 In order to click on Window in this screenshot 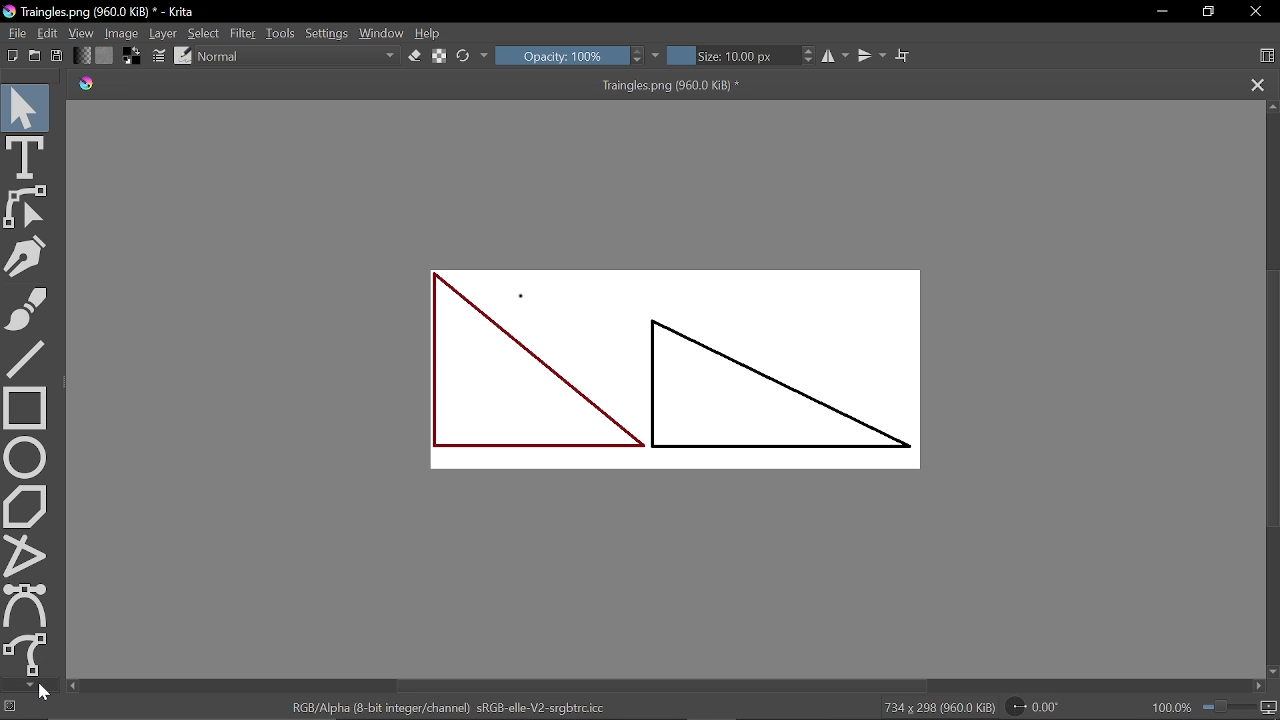, I will do `click(382, 33)`.